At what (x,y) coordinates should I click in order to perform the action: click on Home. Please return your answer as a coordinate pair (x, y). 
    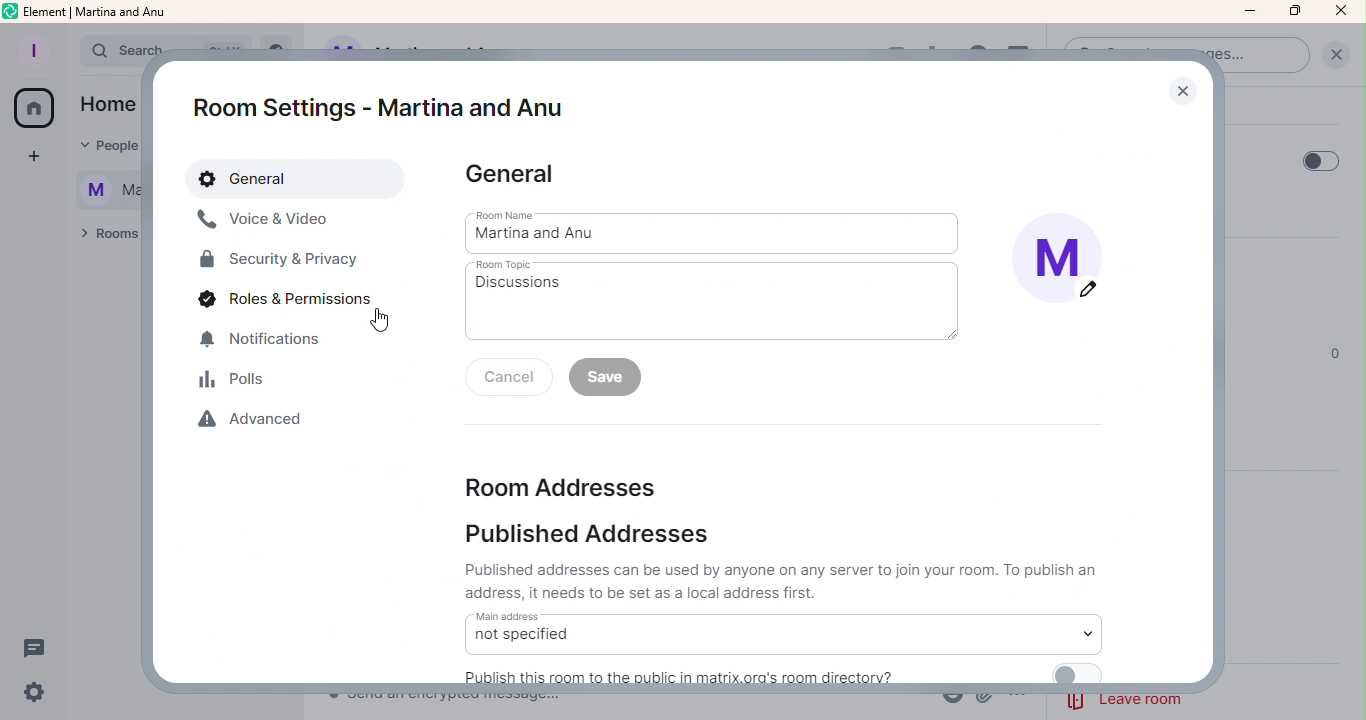
    Looking at the image, I should click on (105, 106).